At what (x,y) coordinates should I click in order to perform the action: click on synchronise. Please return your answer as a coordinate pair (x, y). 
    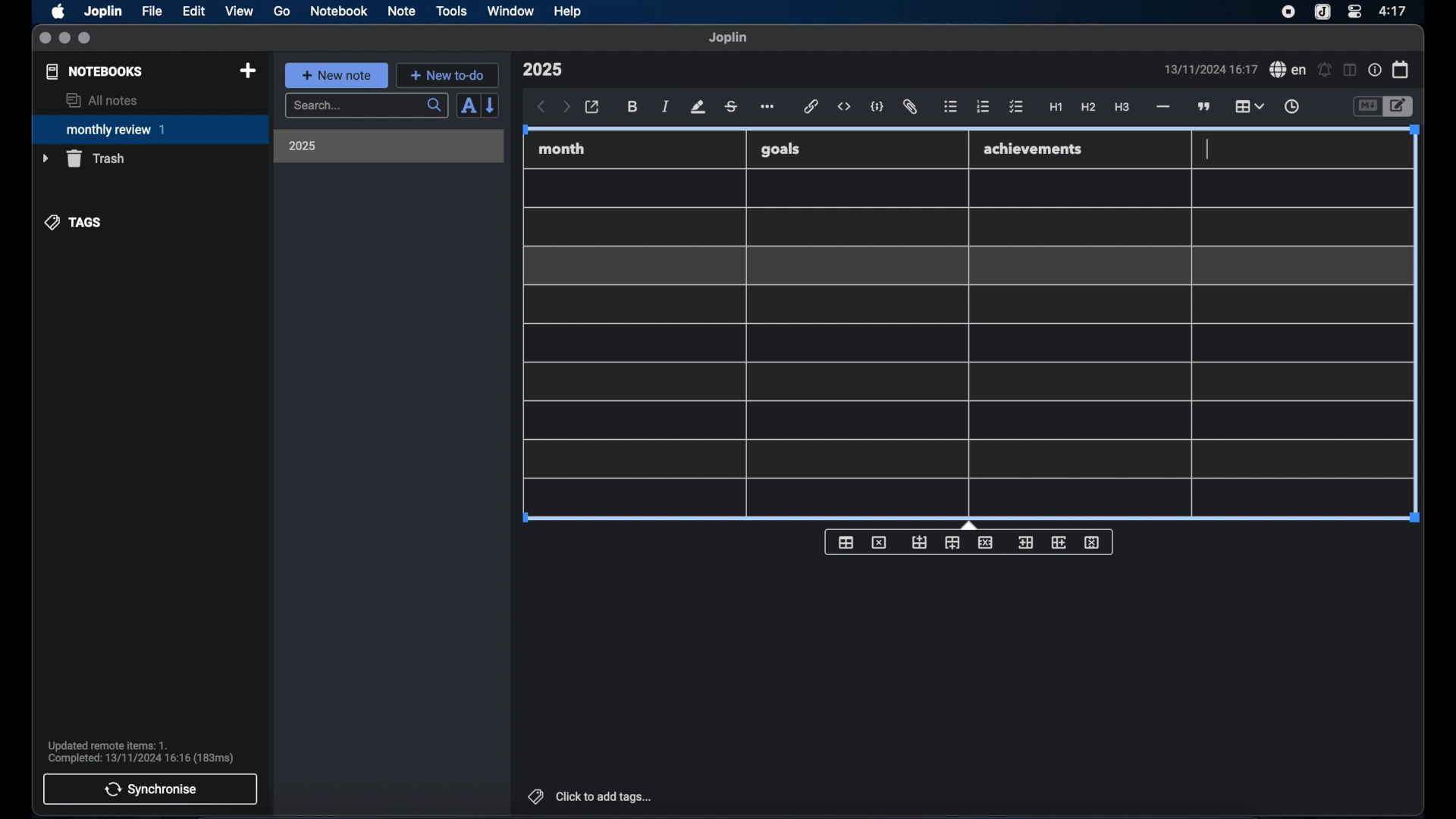
    Looking at the image, I should click on (150, 789).